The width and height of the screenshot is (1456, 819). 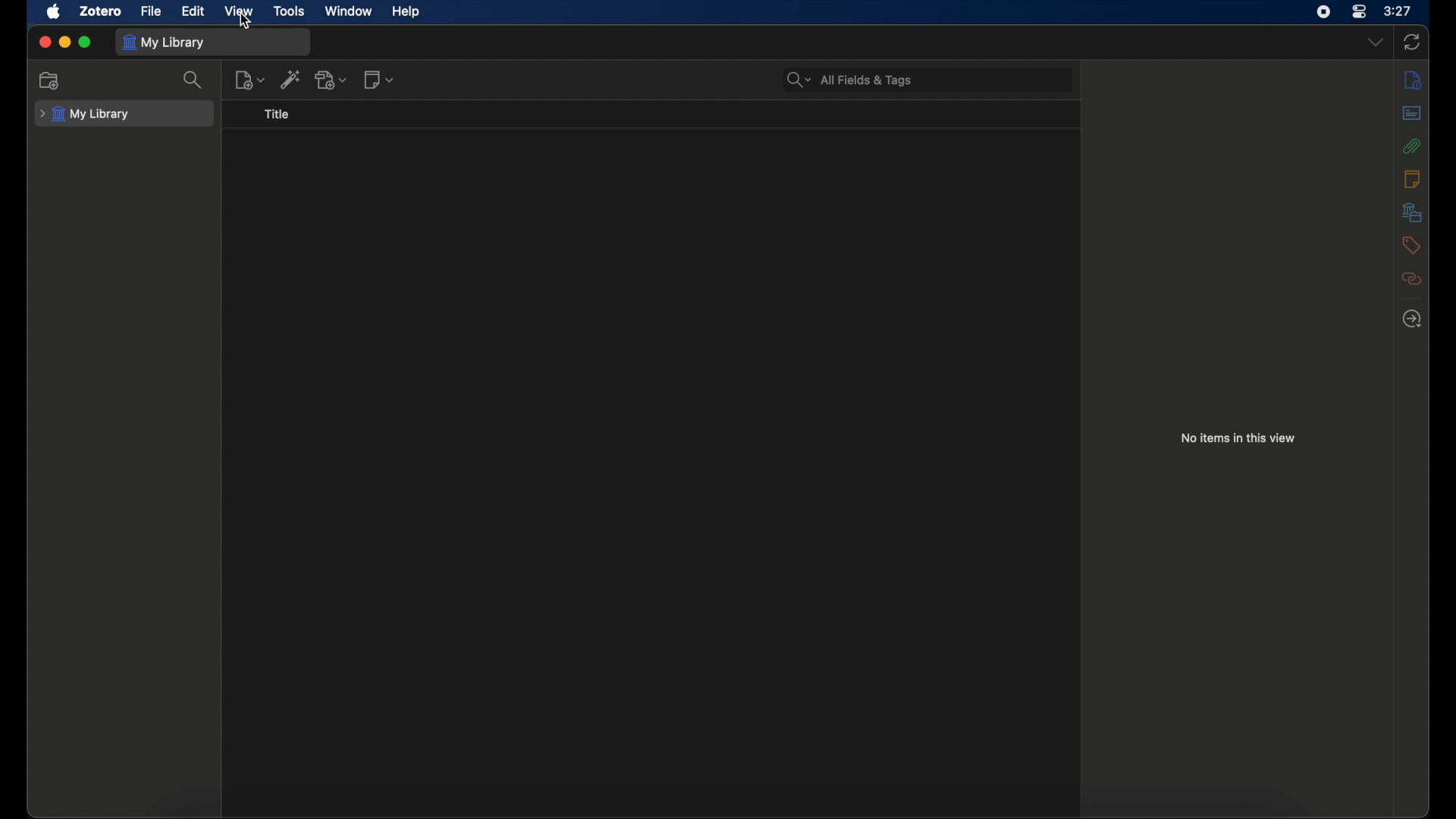 I want to click on search, so click(x=194, y=79).